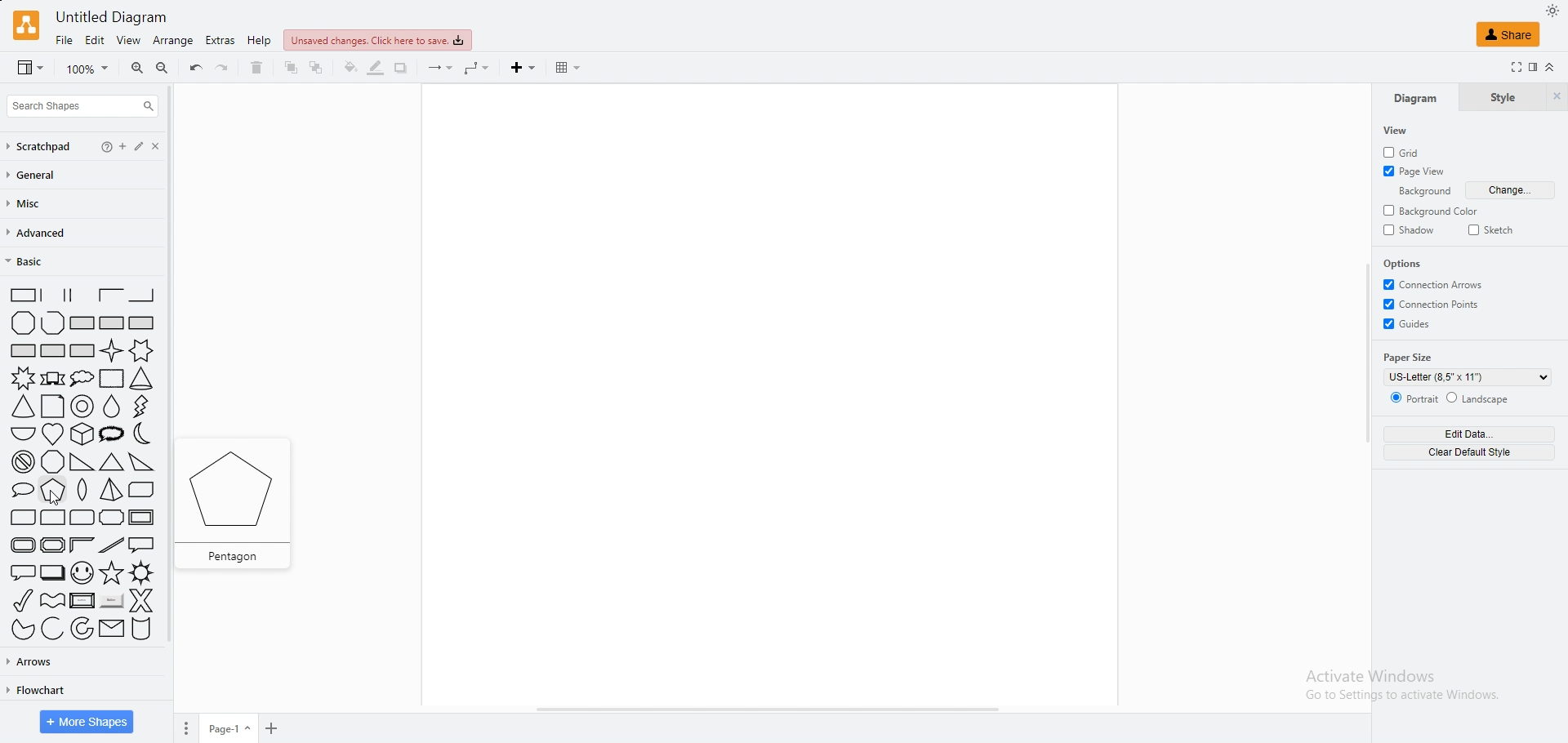  I want to click on advanced, so click(40, 234).